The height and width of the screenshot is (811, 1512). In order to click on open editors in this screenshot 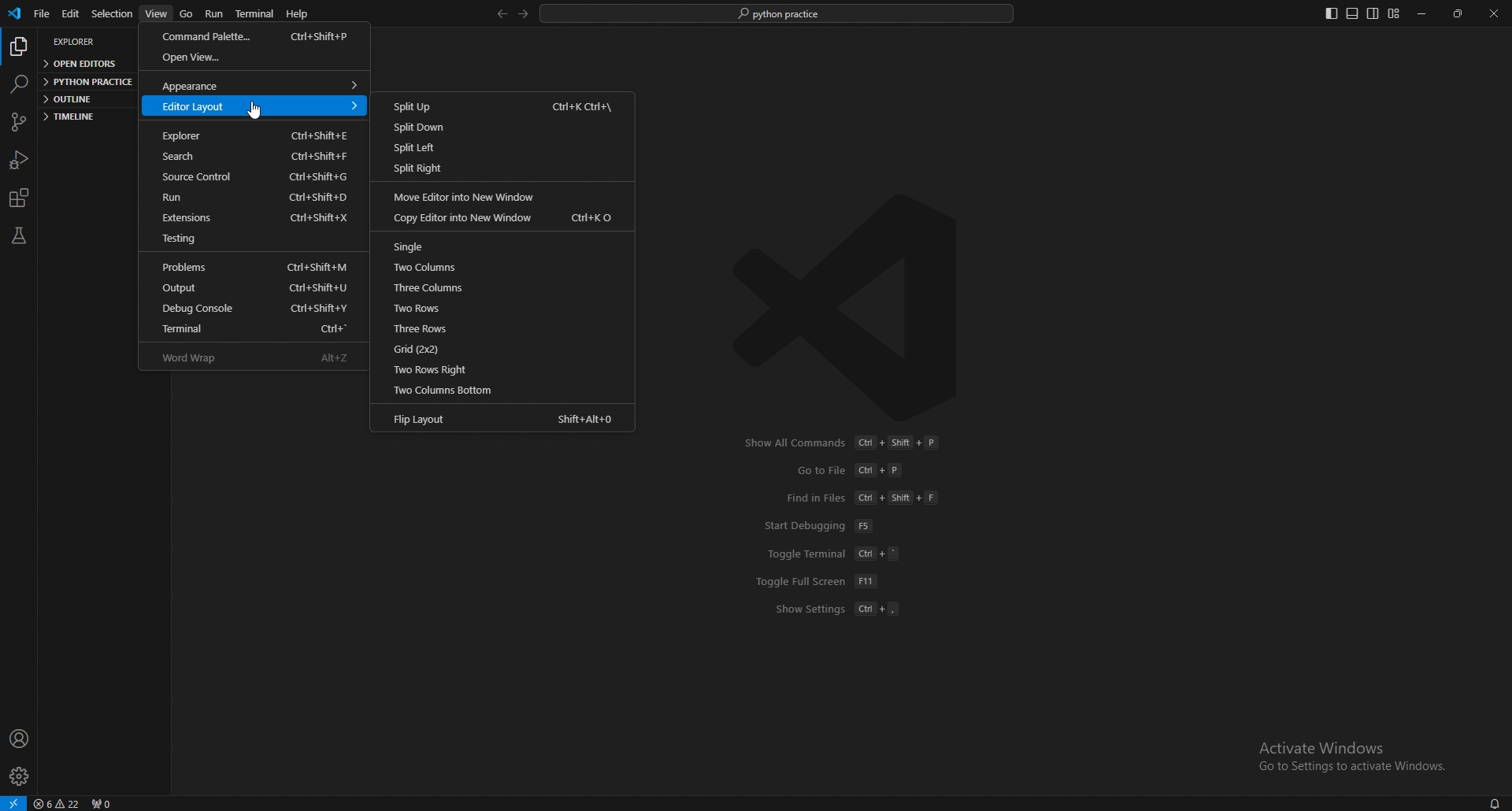, I will do `click(83, 64)`.